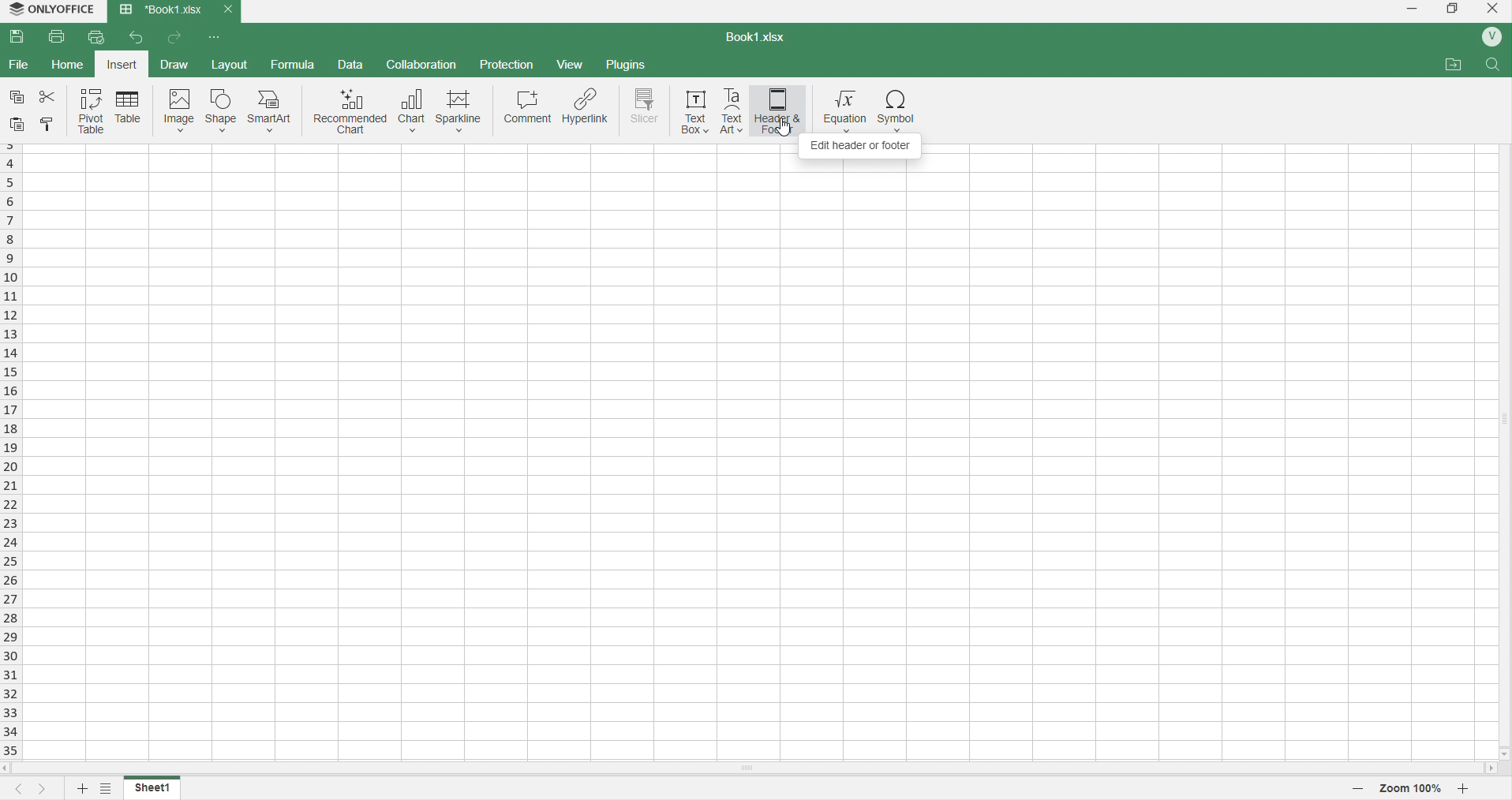 The image size is (1512, 800). I want to click on decrease zoom , so click(1357, 787).